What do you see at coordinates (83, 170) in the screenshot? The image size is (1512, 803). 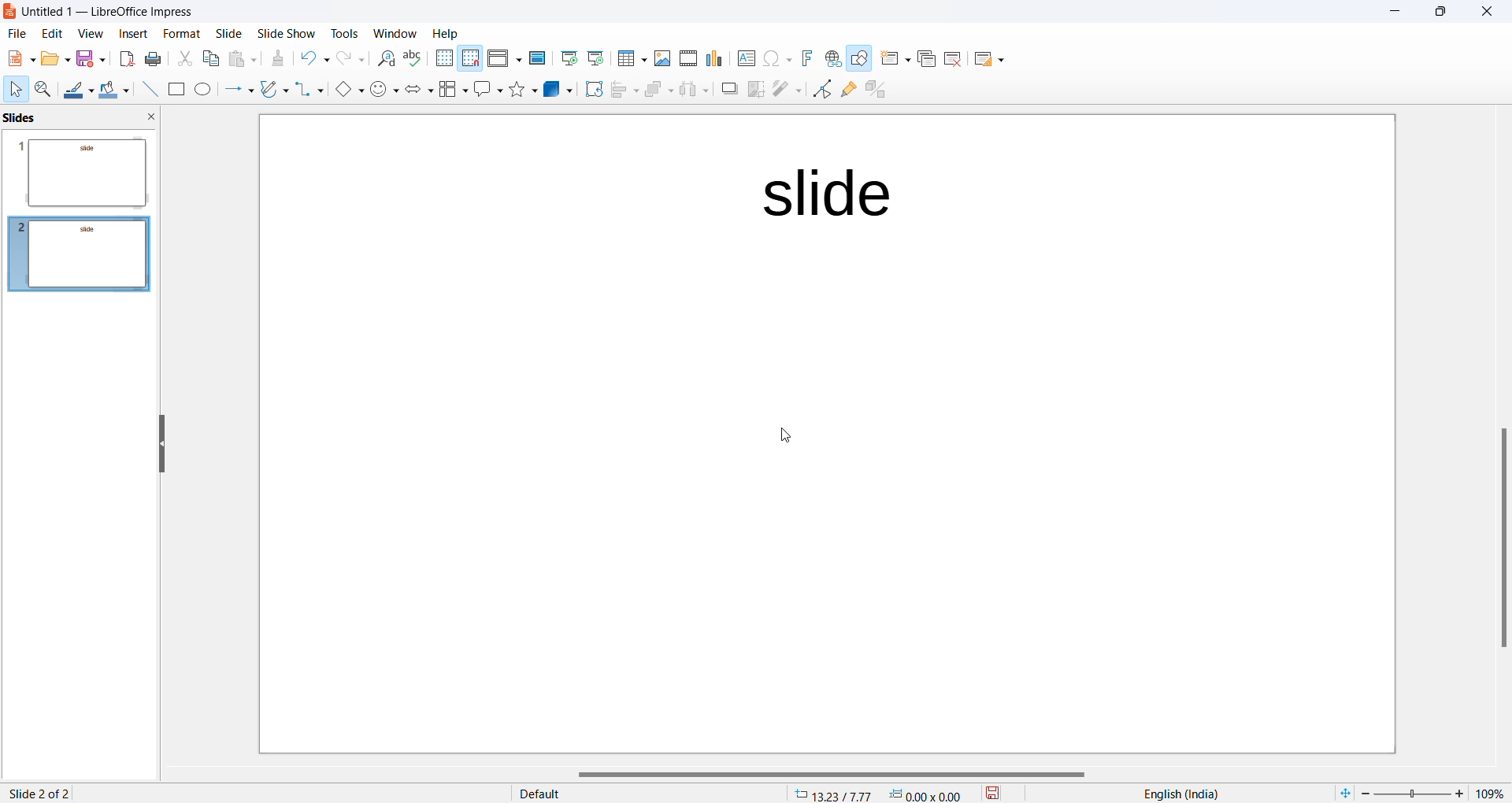 I see `slide preview` at bounding box center [83, 170].